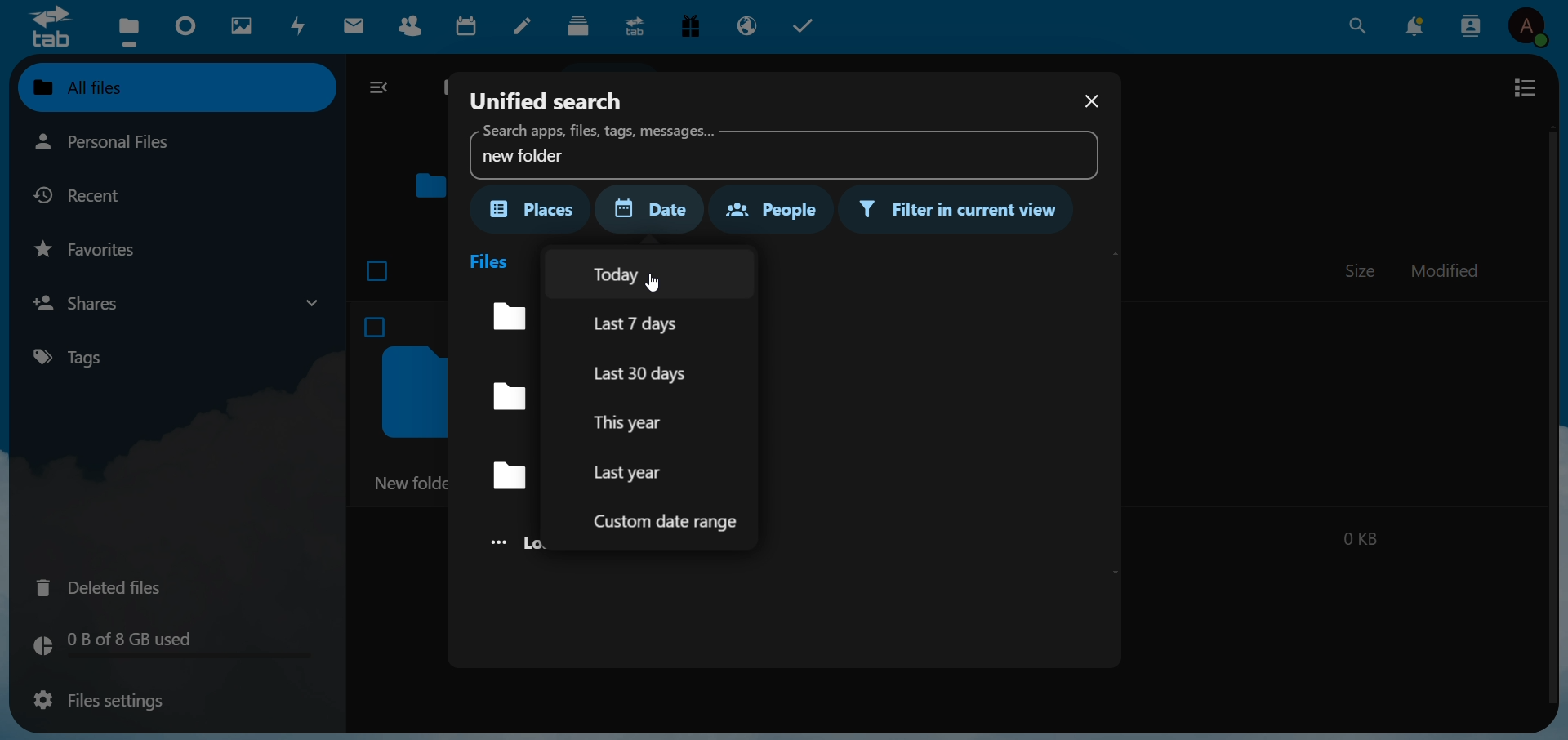  Describe the element at coordinates (778, 150) in the screenshot. I see `new folder` at that location.